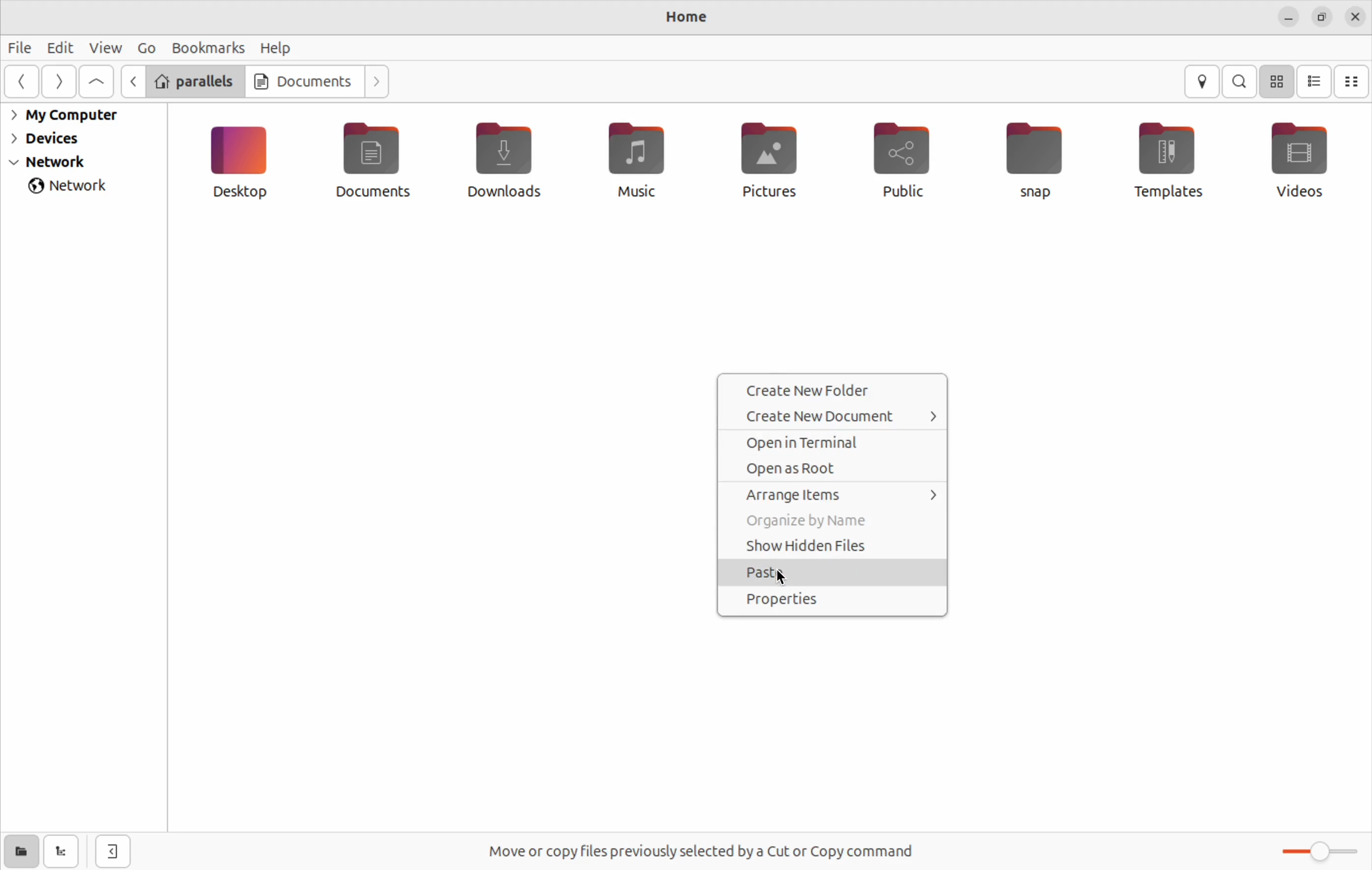 The height and width of the screenshot is (870, 1372). I want to click on videos file, so click(1297, 158).